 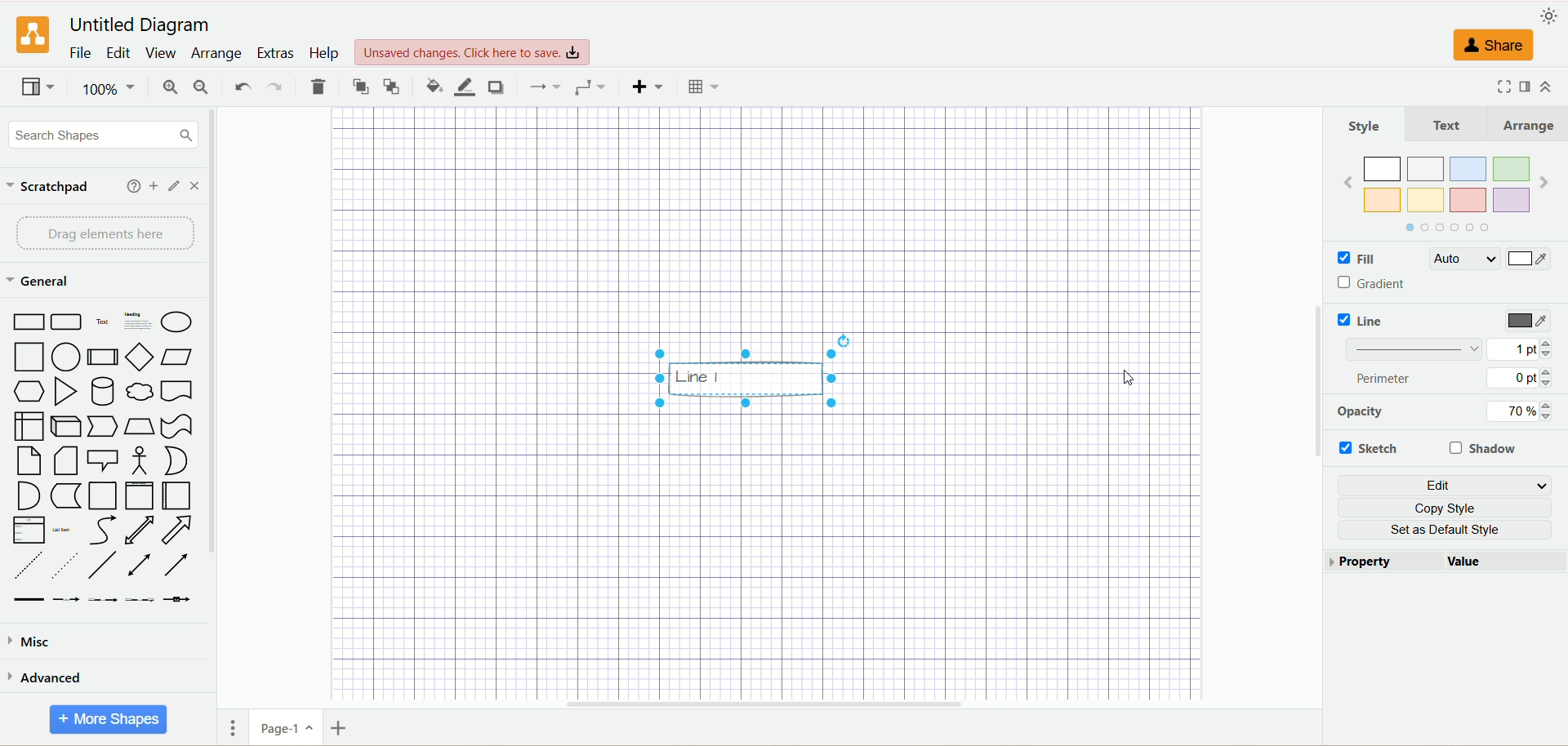 I want to click on Arrange, so click(x=1525, y=125).